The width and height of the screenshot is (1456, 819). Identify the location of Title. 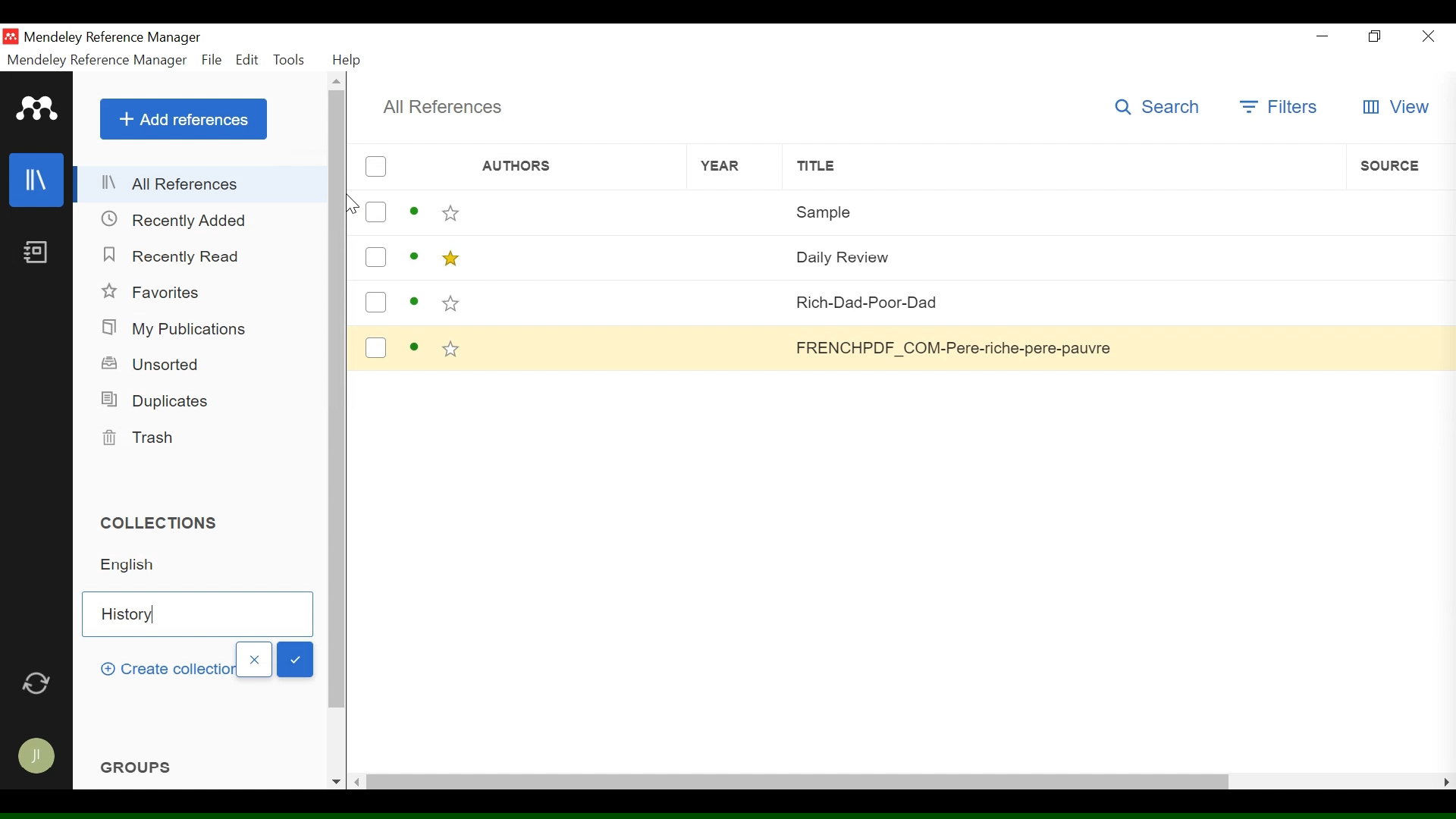
(1063, 168).